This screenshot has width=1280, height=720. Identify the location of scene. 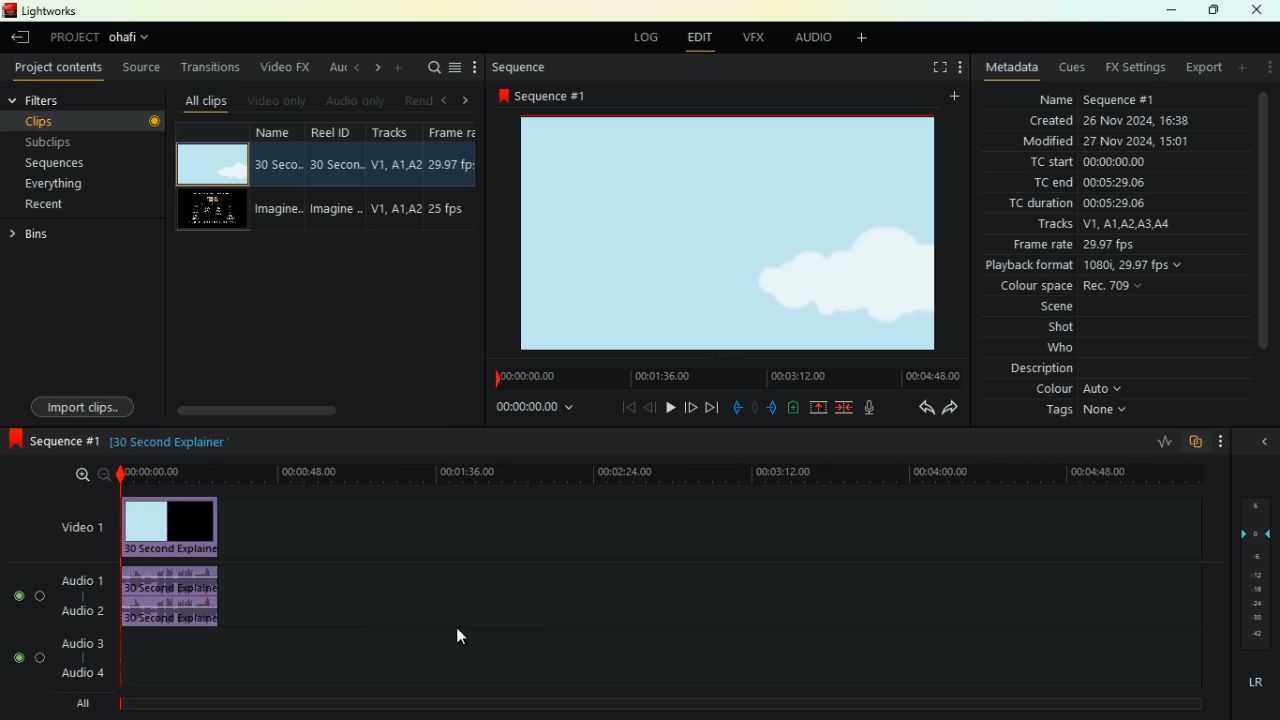
(1062, 308).